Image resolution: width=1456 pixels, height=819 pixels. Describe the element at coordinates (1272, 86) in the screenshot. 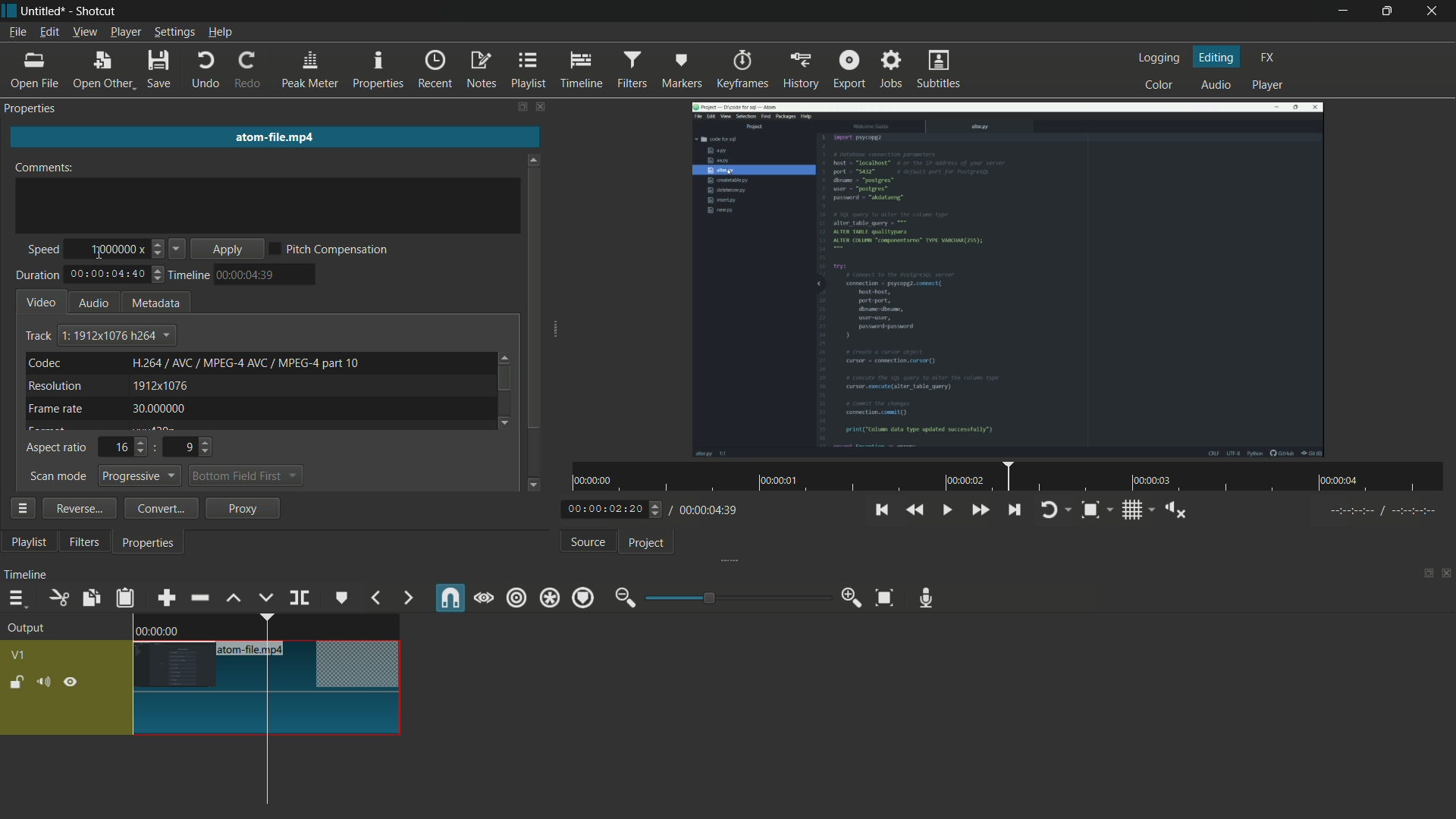

I see `player` at that location.